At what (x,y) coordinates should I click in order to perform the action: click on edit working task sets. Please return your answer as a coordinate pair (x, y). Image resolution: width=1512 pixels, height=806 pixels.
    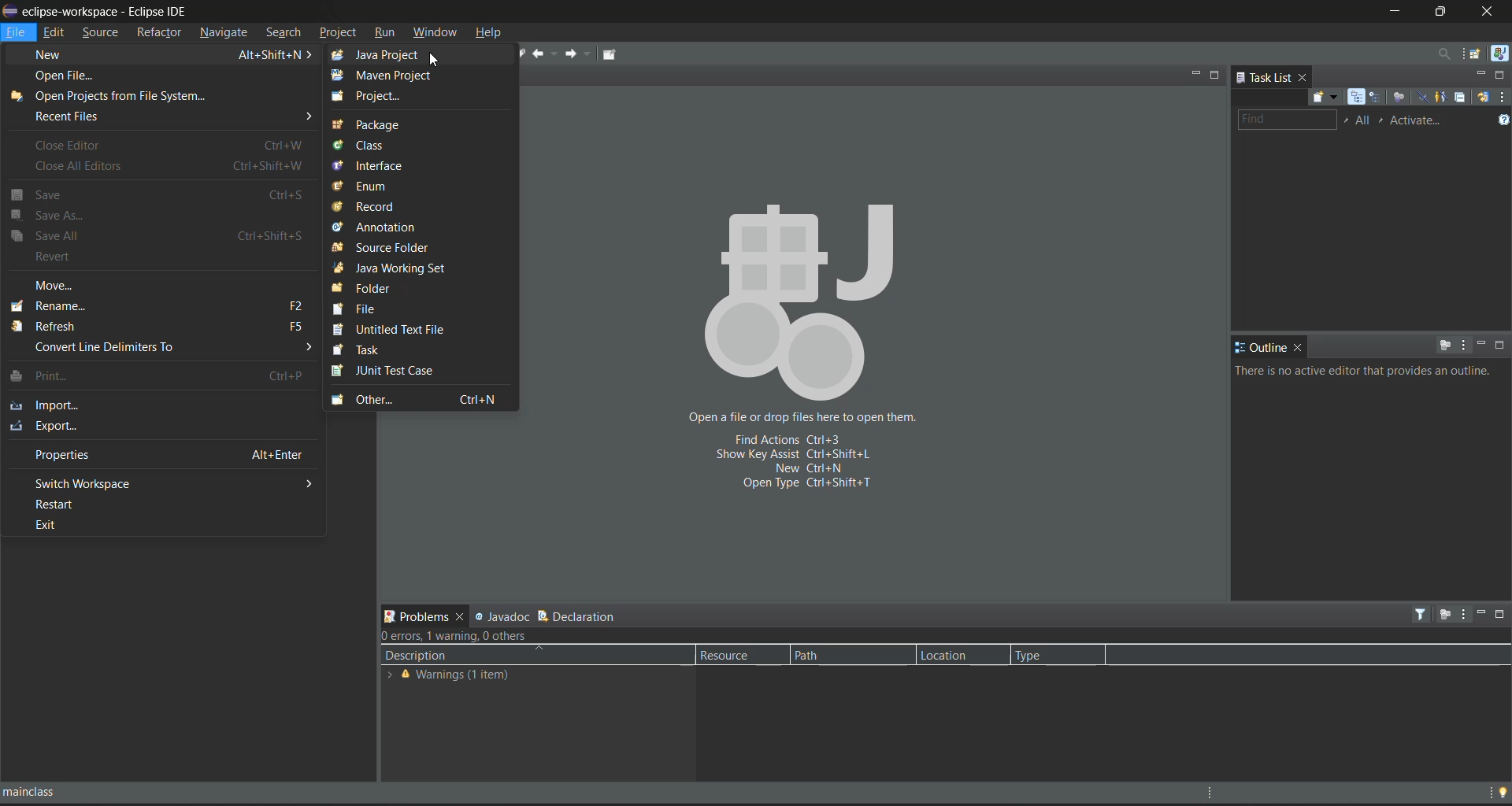
    Looking at the image, I should click on (1365, 121).